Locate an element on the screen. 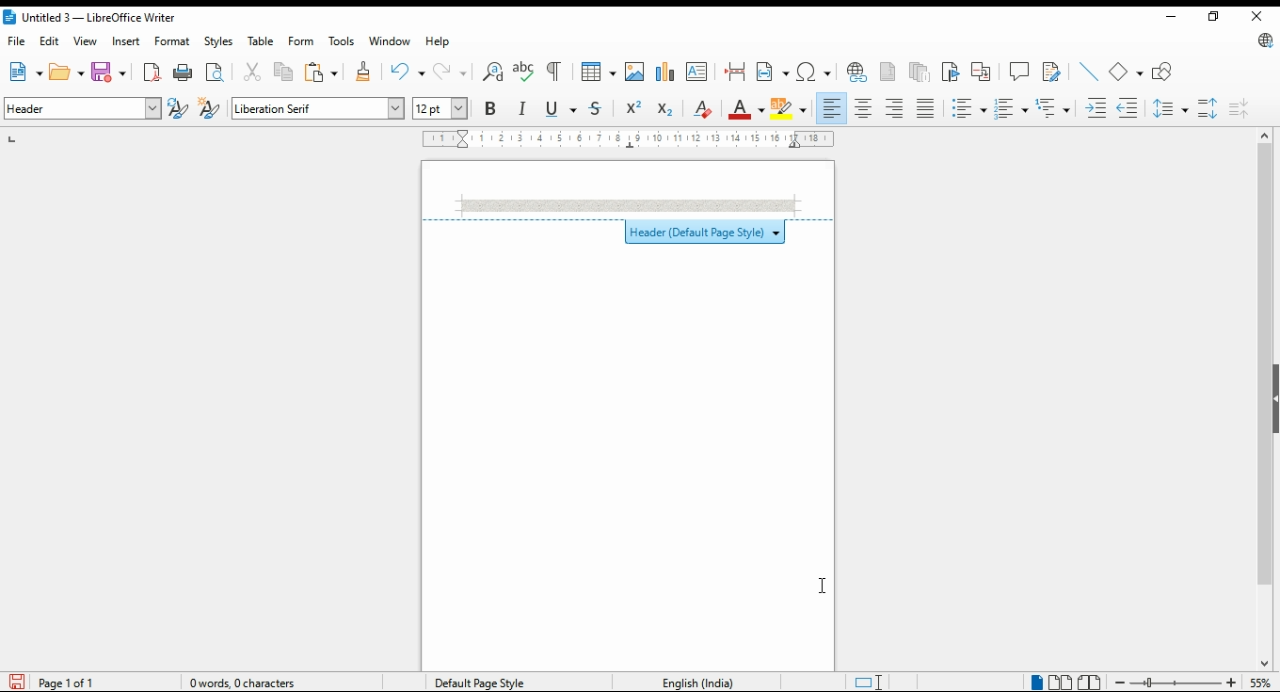 The image size is (1280, 692). show draw functions is located at coordinates (1165, 72).